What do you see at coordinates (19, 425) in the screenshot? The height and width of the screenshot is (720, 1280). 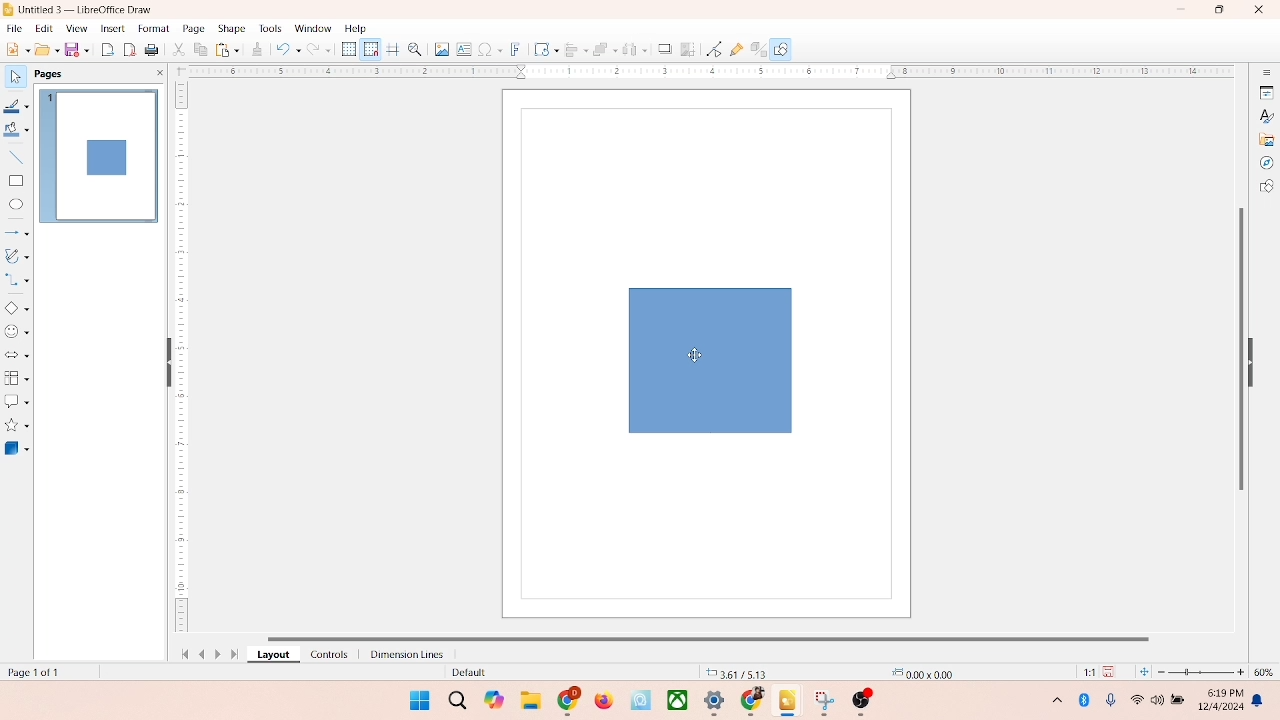 I see `star and banners` at bounding box center [19, 425].